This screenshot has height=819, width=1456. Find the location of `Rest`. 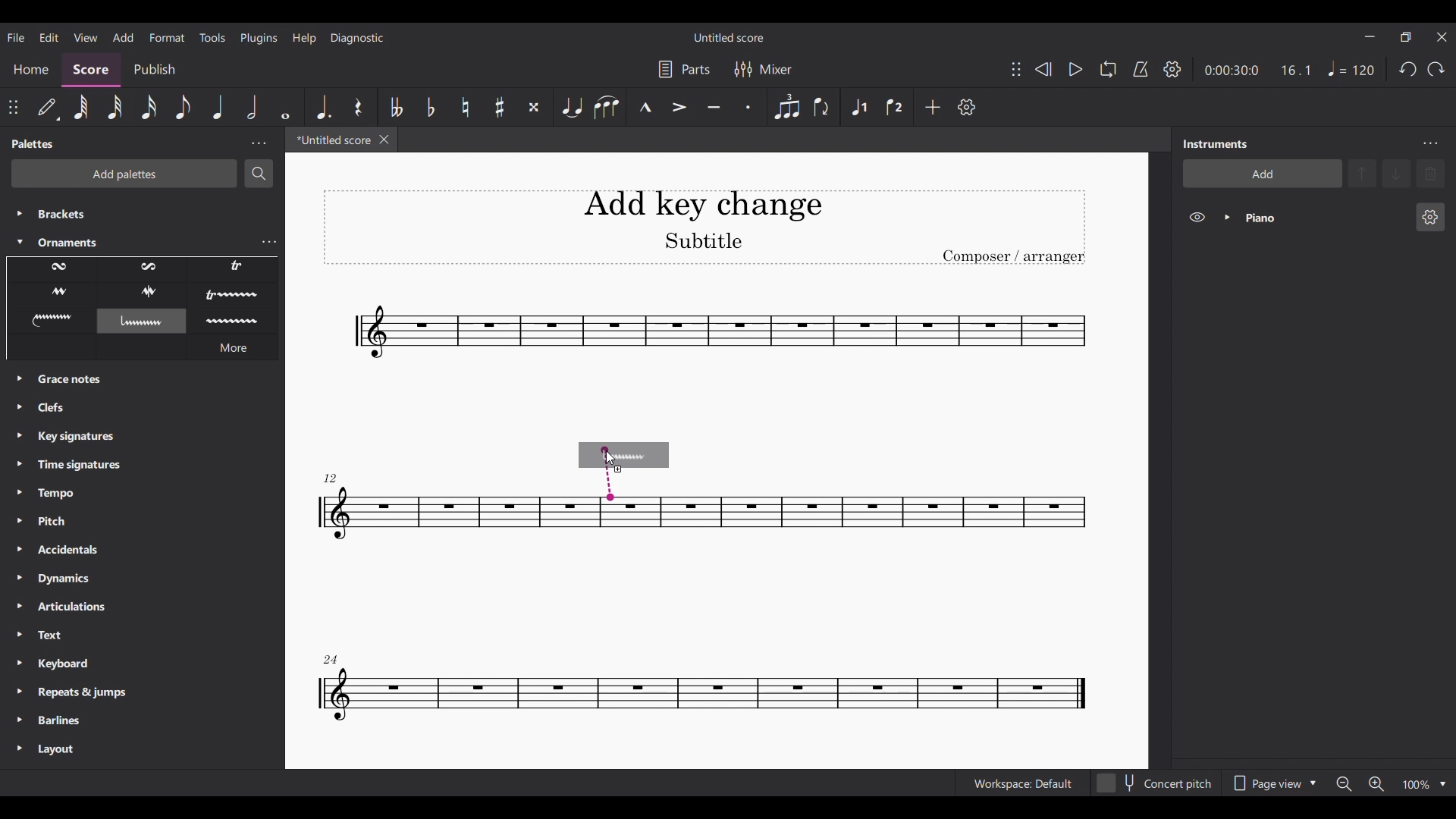

Rest is located at coordinates (358, 107).